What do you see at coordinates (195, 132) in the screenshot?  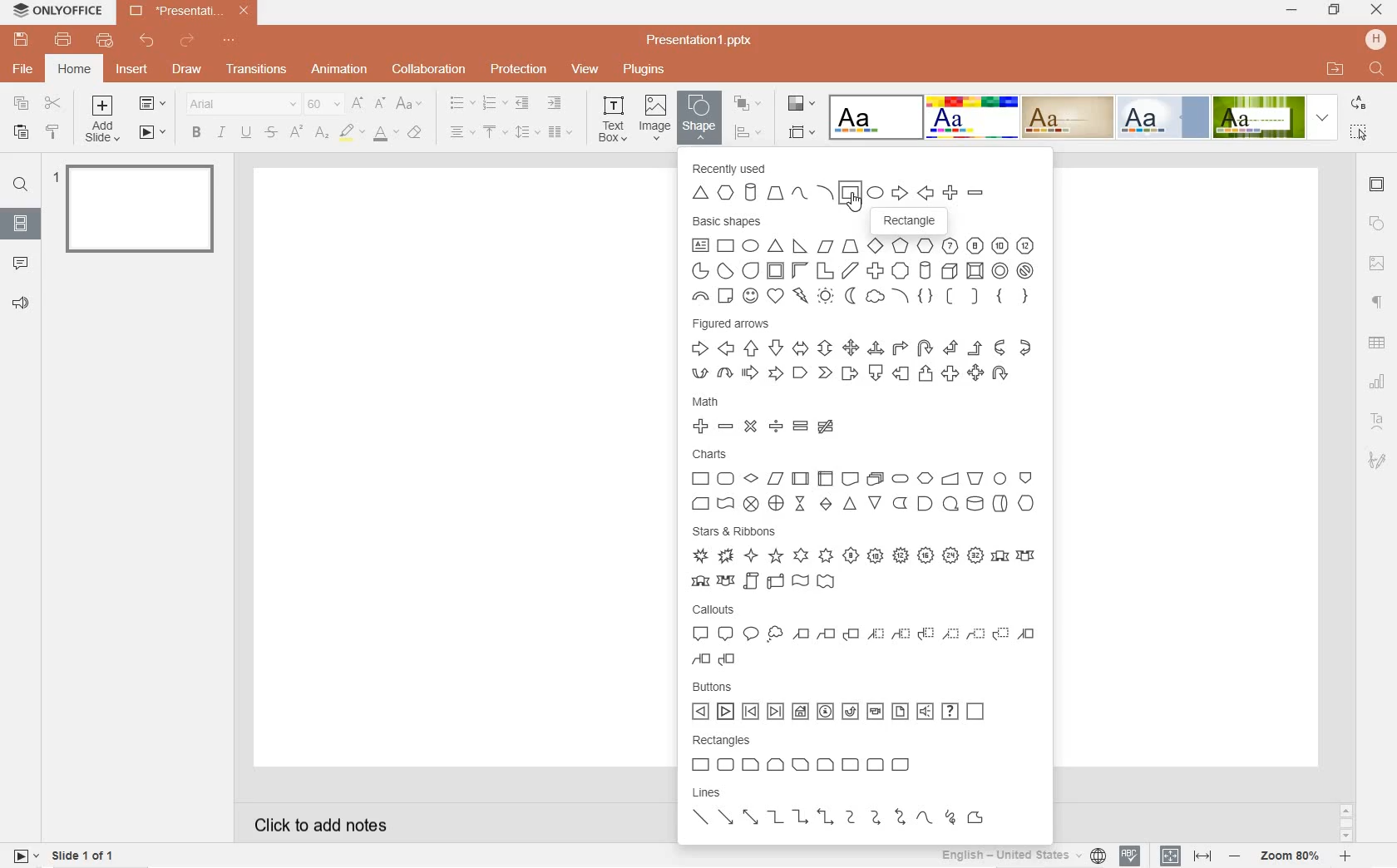 I see `bold` at bounding box center [195, 132].